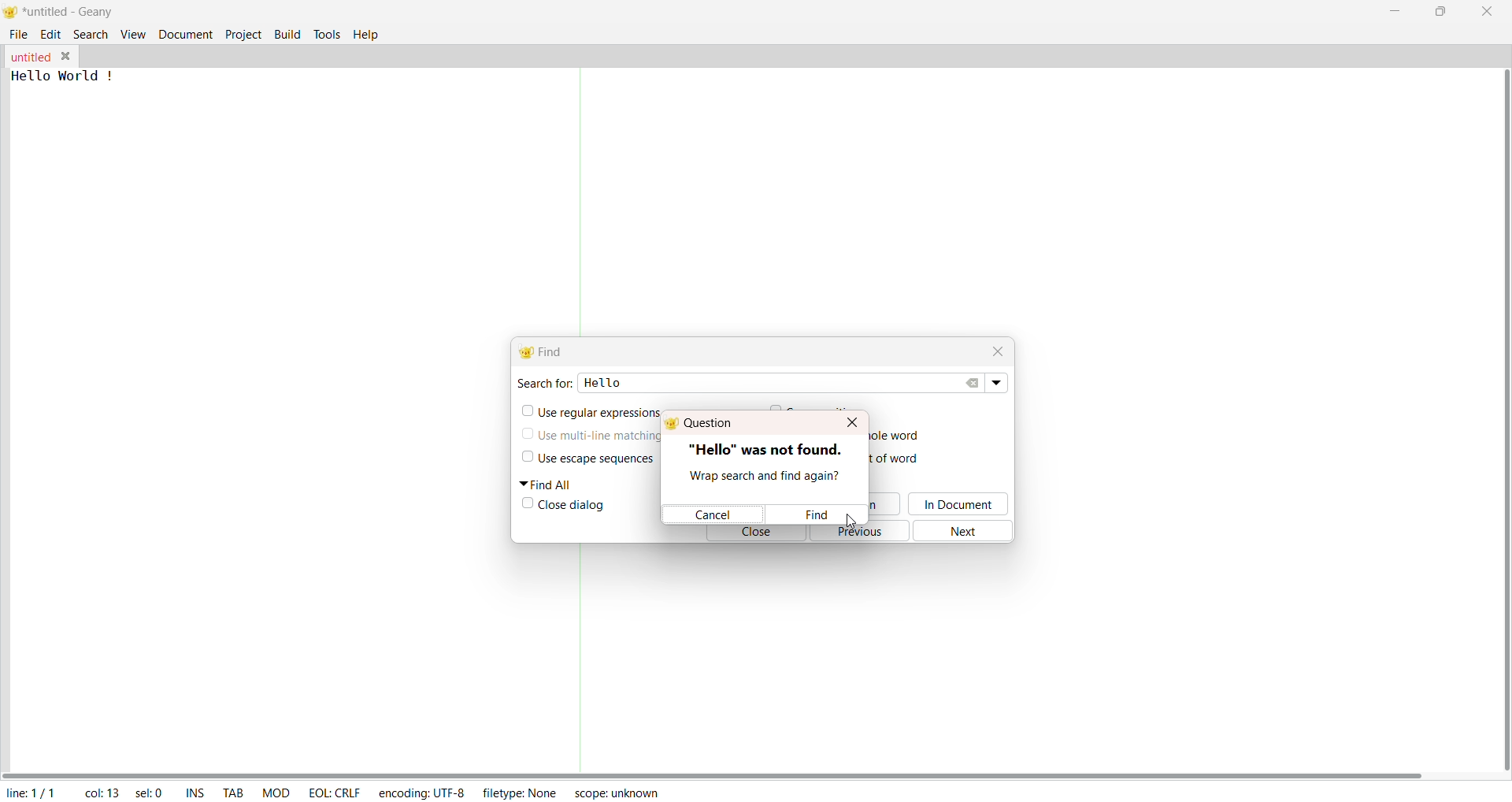  Describe the element at coordinates (66, 55) in the screenshot. I see `Close File` at that location.